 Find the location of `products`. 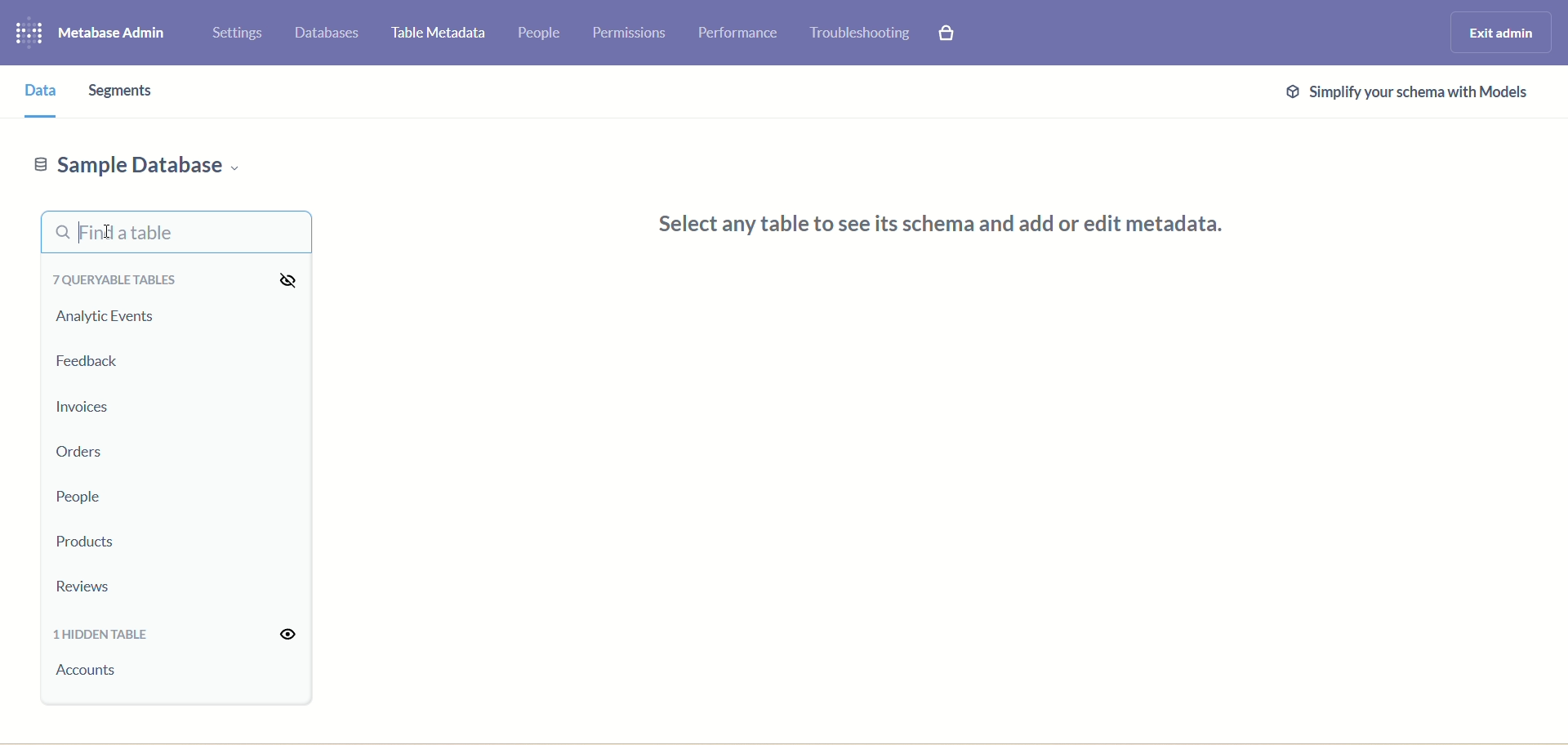

products is located at coordinates (95, 544).